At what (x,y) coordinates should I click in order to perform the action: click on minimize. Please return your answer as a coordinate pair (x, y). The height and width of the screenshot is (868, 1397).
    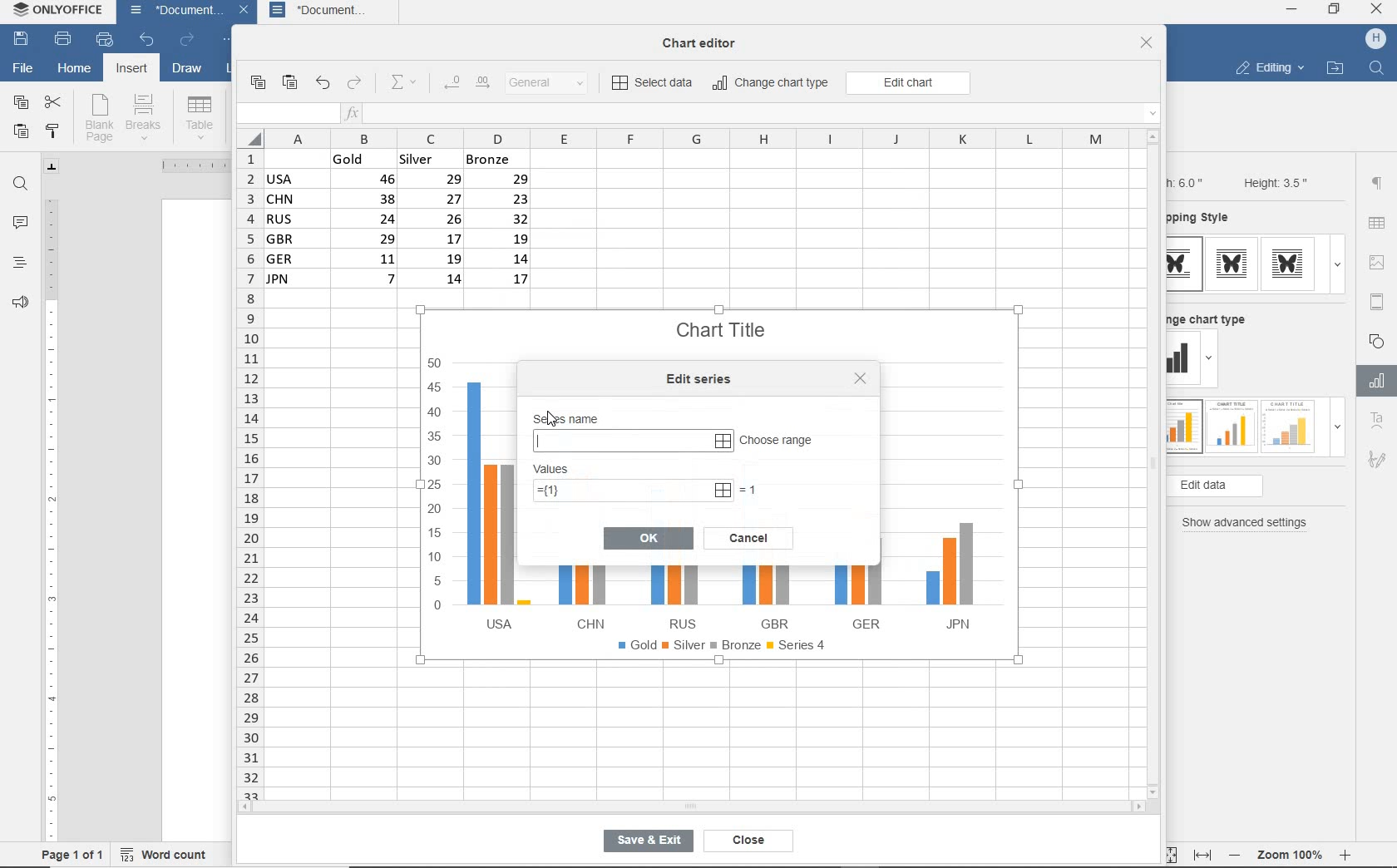
    Looking at the image, I should click on (1292, 9).